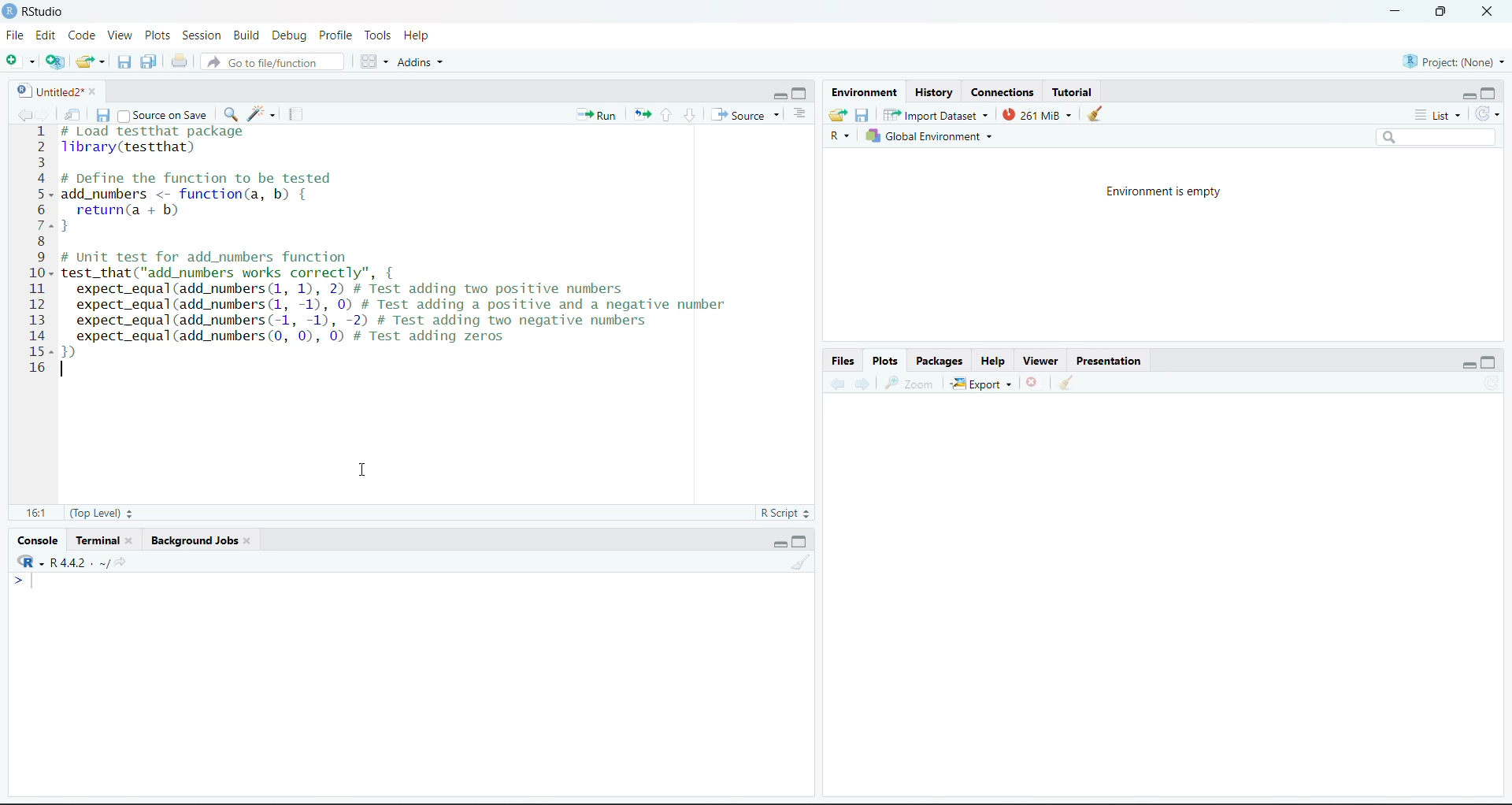 Image resolution: width=1512 pixels, height=805 pixels. What do you see at coordinates (801, 113) in the screenshot?
I see `Show document outline` at bounding box center [801, 113].